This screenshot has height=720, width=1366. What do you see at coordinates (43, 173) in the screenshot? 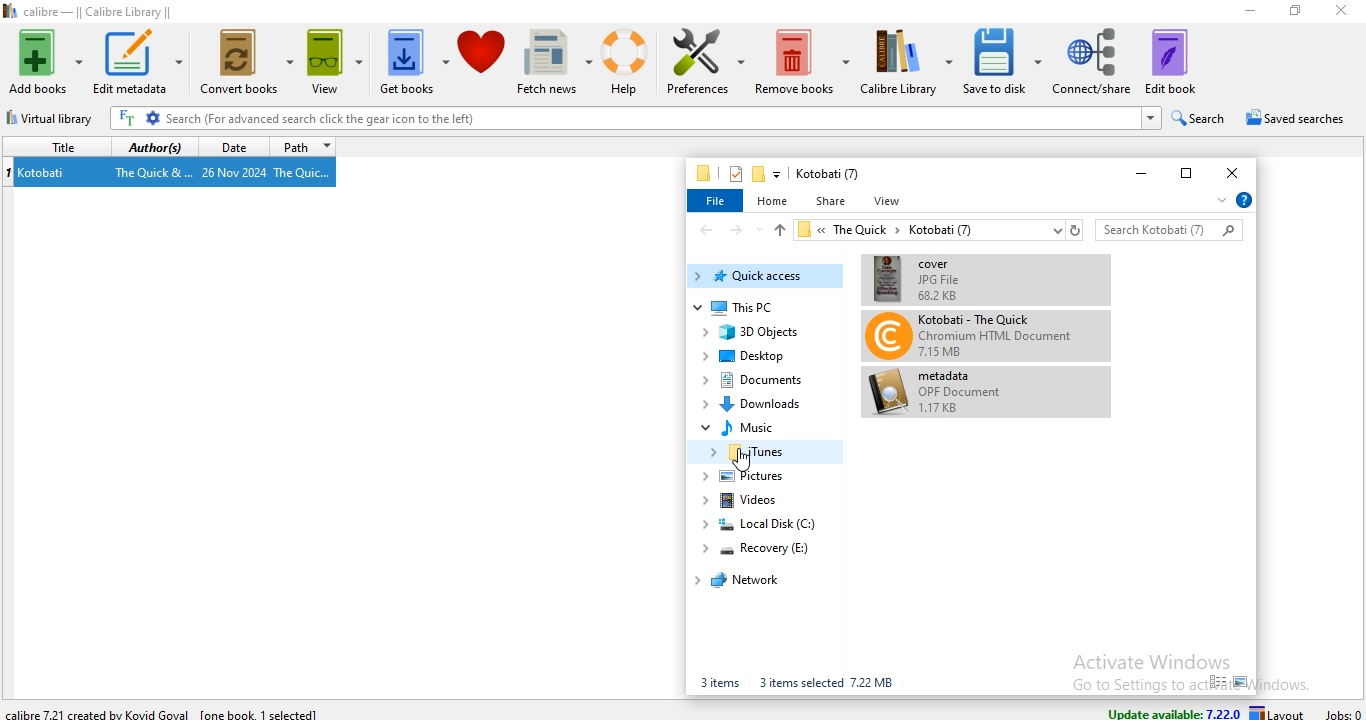
I see `Kotobati` at bounding box center [43, 173].